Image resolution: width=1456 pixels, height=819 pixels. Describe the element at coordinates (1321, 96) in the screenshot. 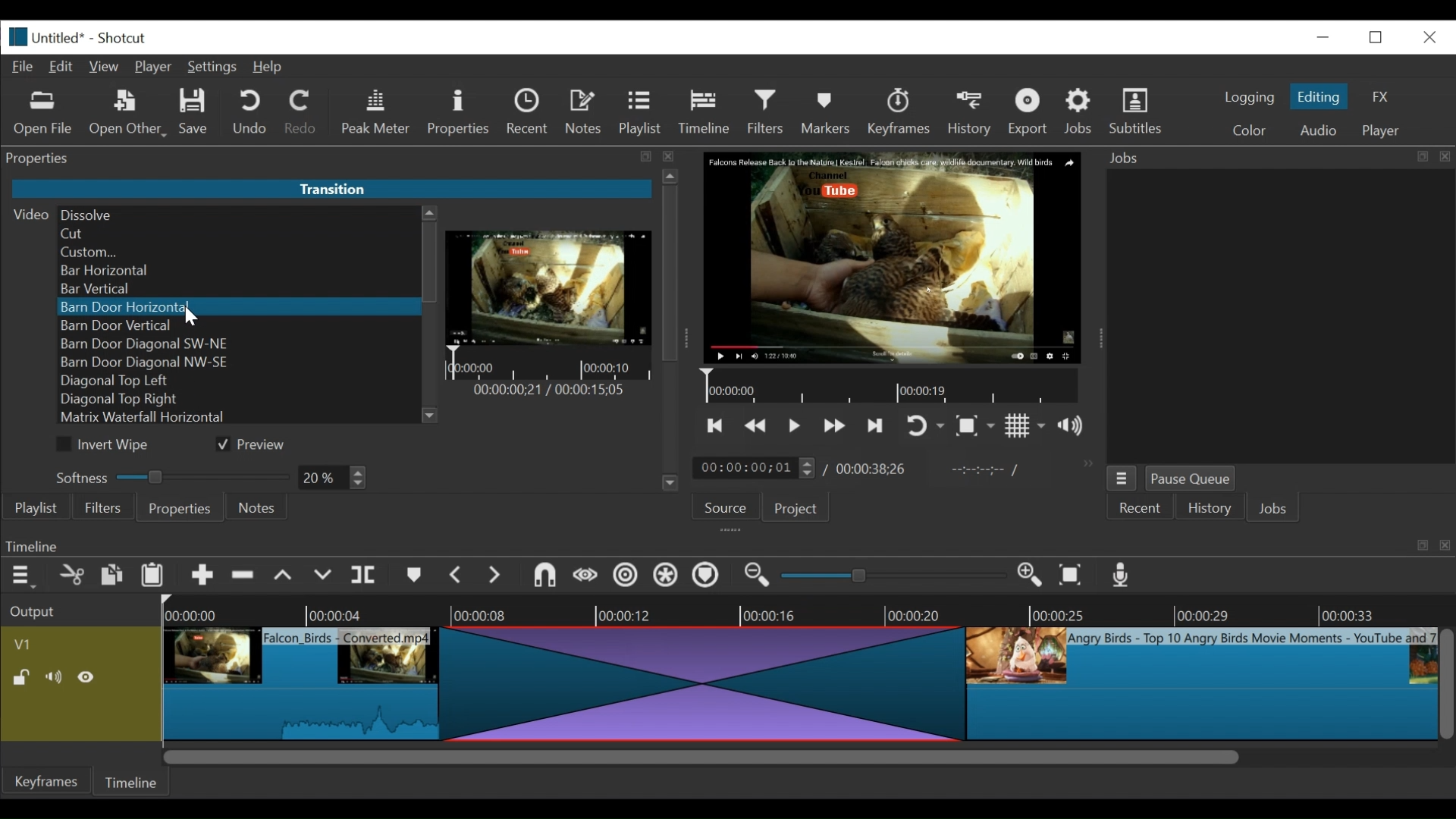

I see `Editing` at that location.